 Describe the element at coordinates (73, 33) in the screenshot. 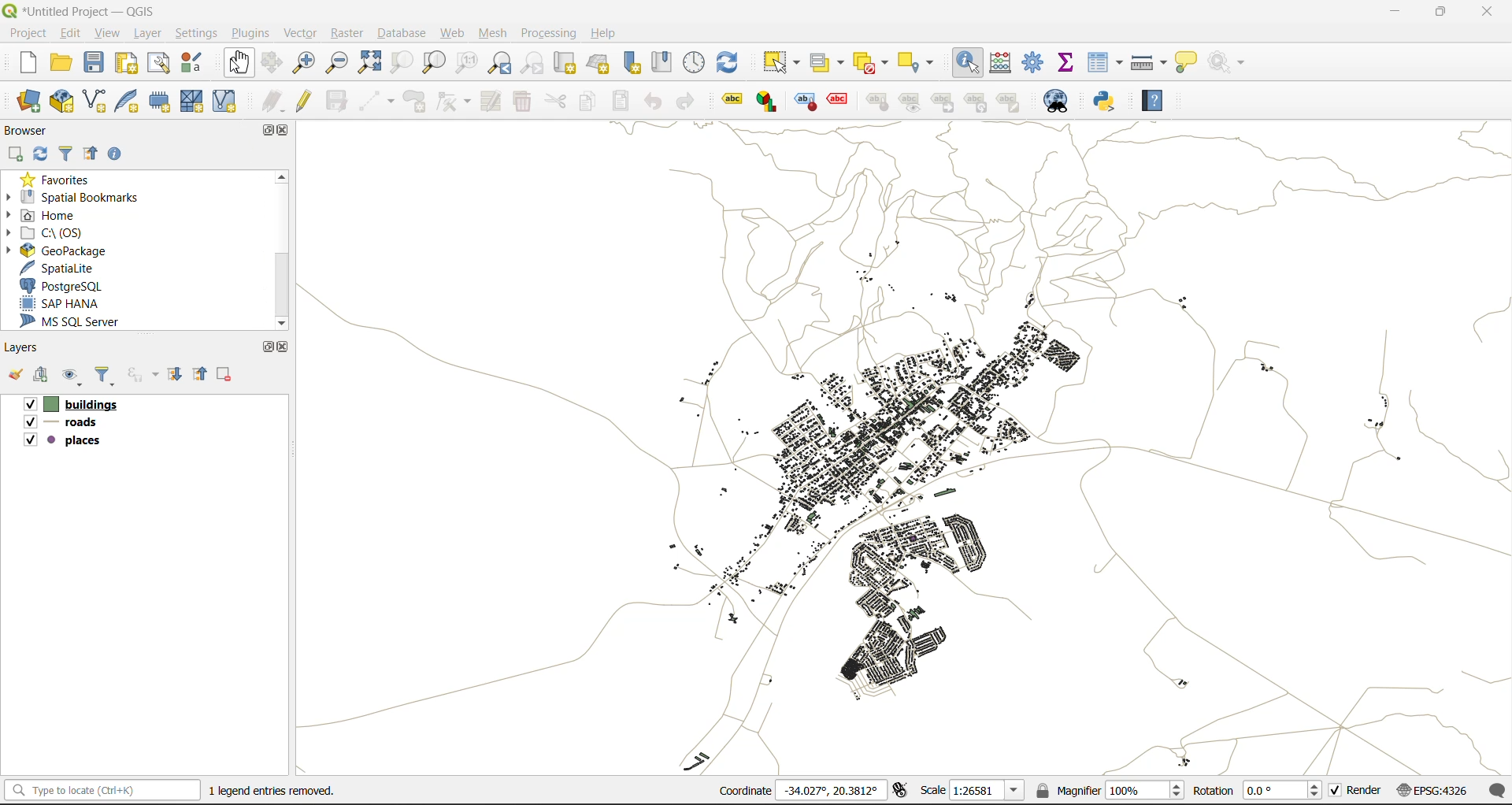

I see `edit` at that location.